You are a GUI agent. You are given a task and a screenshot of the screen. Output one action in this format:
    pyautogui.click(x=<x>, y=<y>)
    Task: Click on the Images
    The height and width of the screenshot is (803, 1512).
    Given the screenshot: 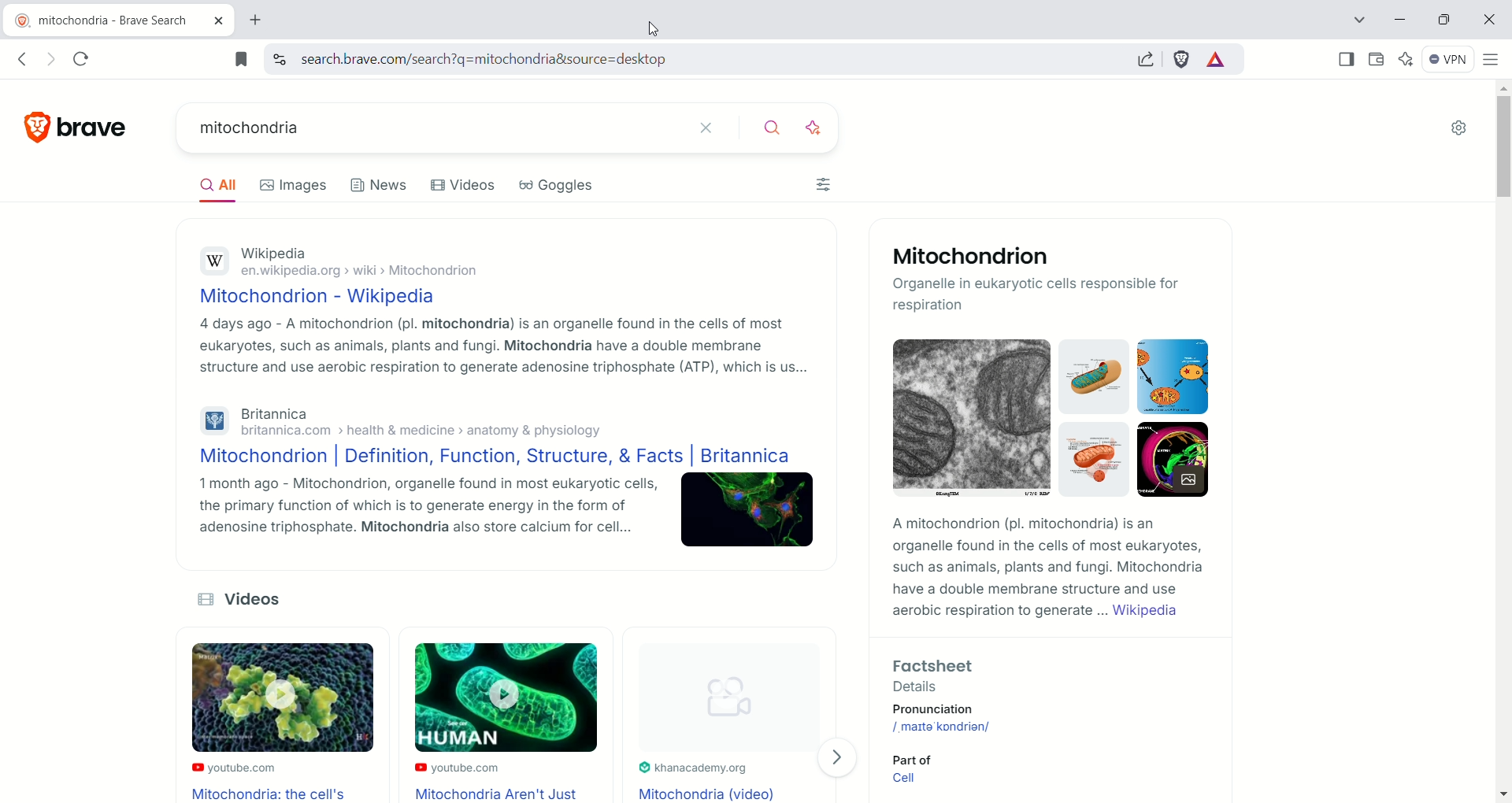 What is the action you would take?
    pyautogui.click(x=292, y=187)
    